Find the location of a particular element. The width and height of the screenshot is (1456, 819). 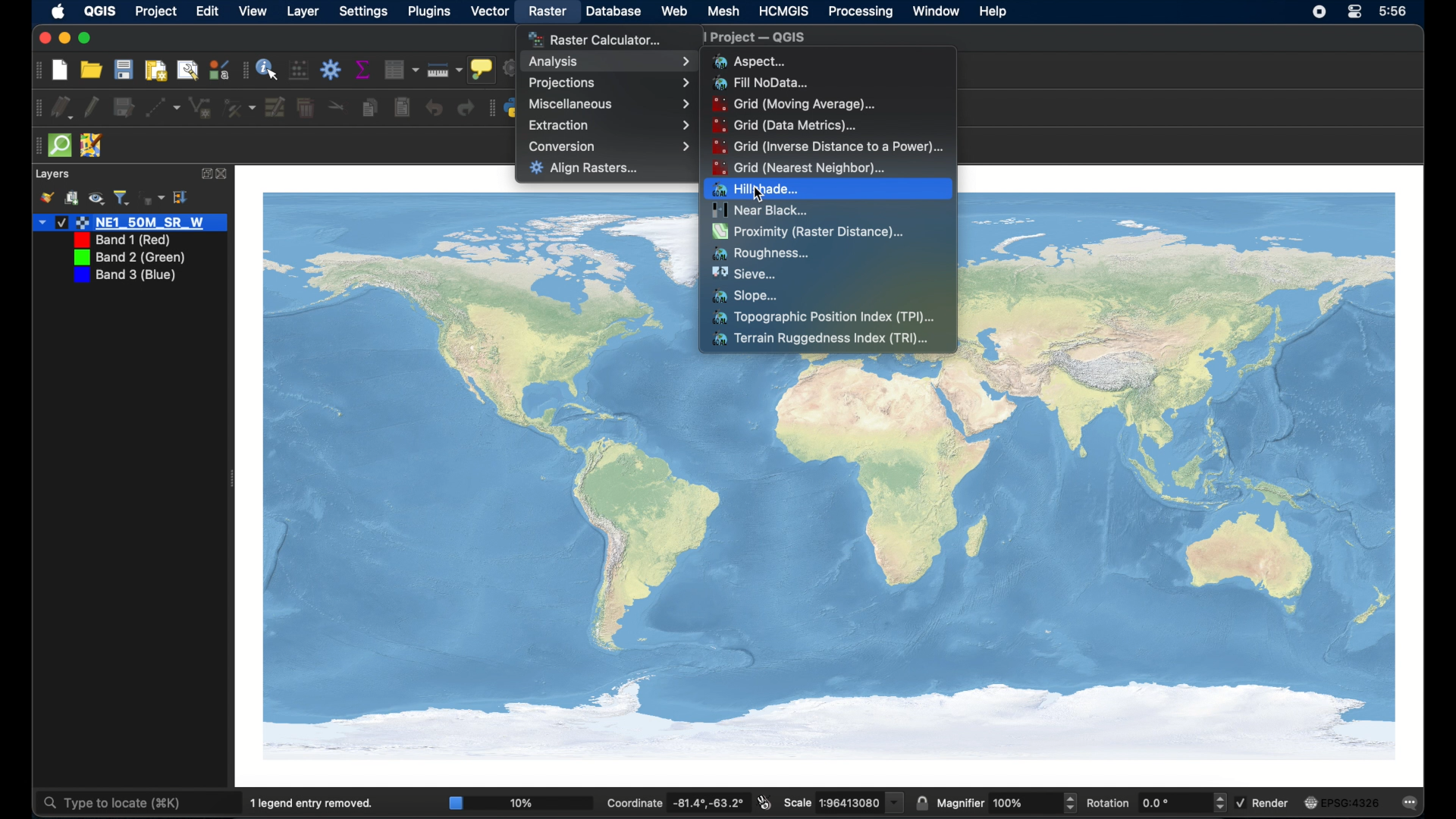

show map tips is located at coordinates (482, 69).